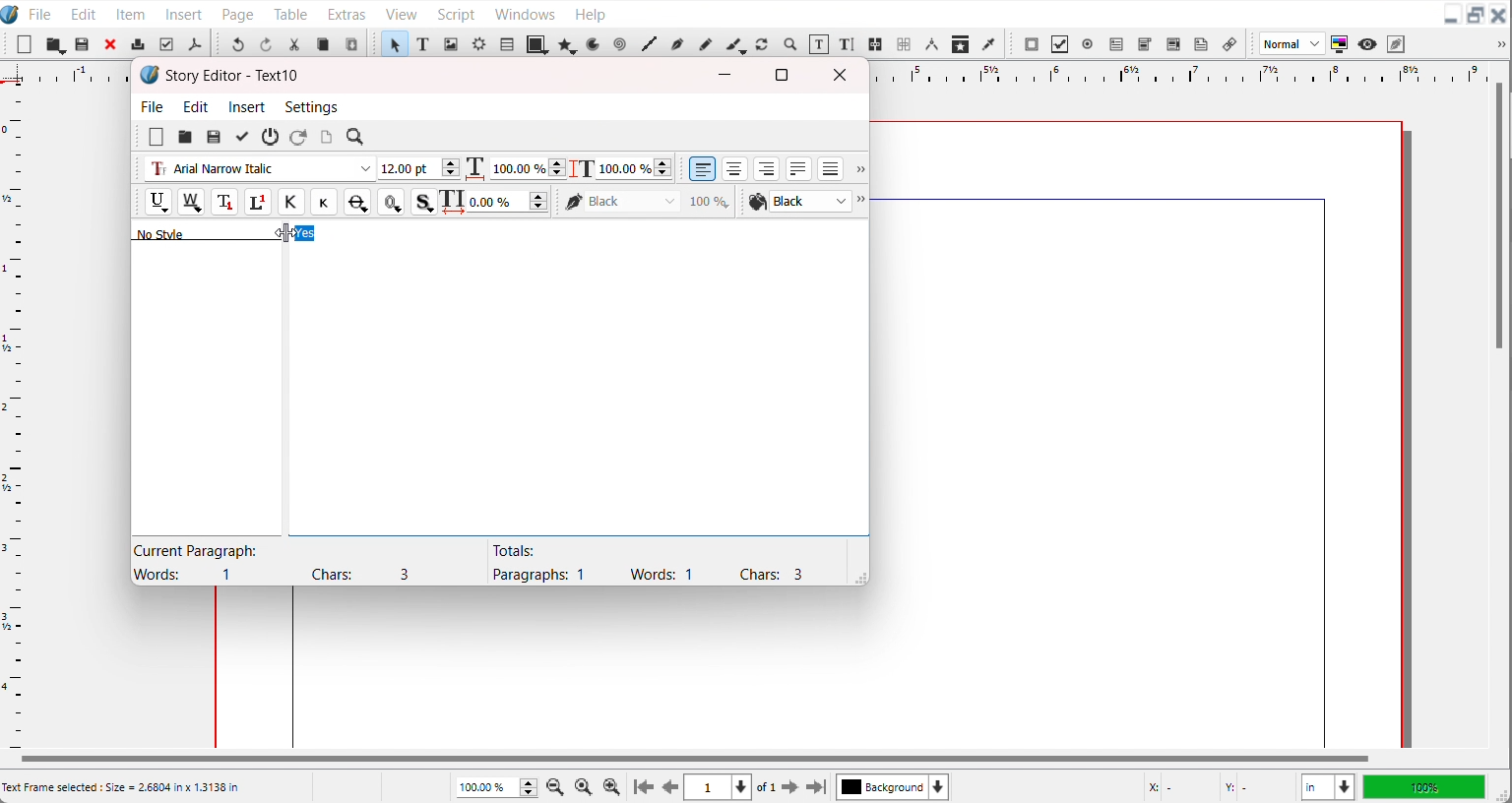 The width and height of the screenshot is (1512, 803). Describe the element at coordinates (1499, 16) in the screenshot. I see `Close` at that location.